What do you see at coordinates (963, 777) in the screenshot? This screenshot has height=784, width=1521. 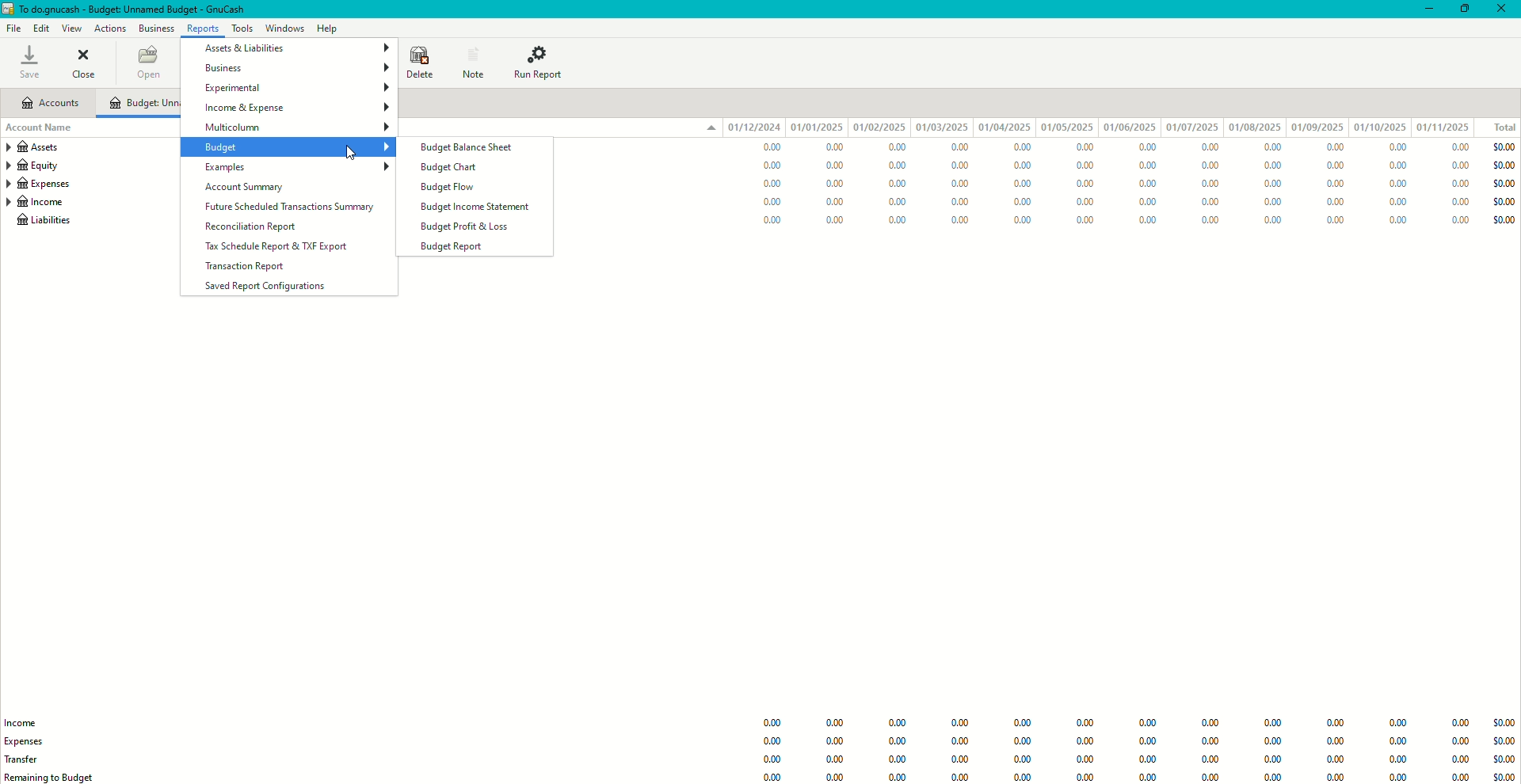 I see `0.00` at bounding box center [963, 777].